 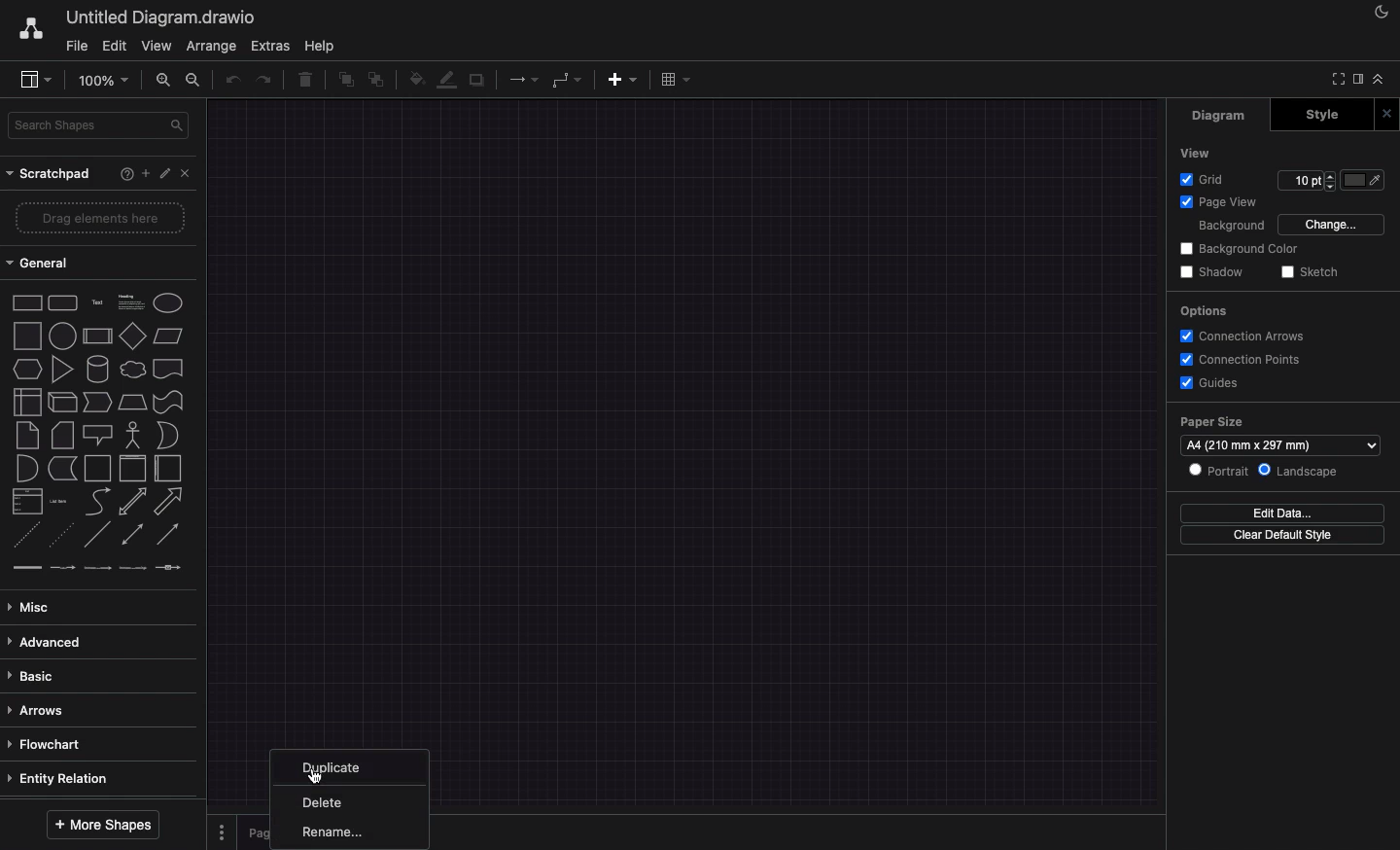 What do you see at coordinates (320, 47) in the screenshot?
I see `help` at bounding box center [320, 47].